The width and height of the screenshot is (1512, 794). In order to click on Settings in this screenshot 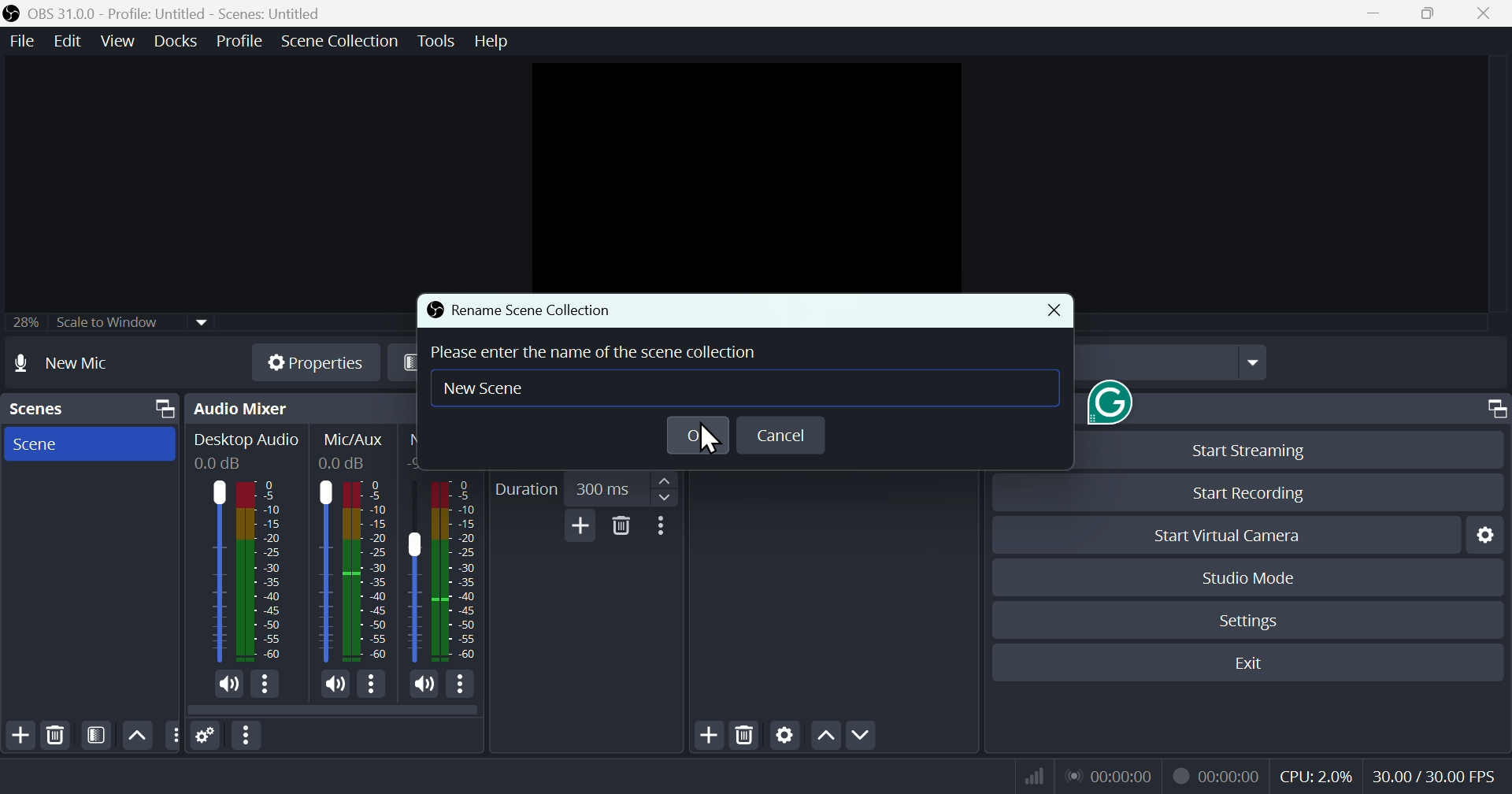, I will do `click(210, 734)`.